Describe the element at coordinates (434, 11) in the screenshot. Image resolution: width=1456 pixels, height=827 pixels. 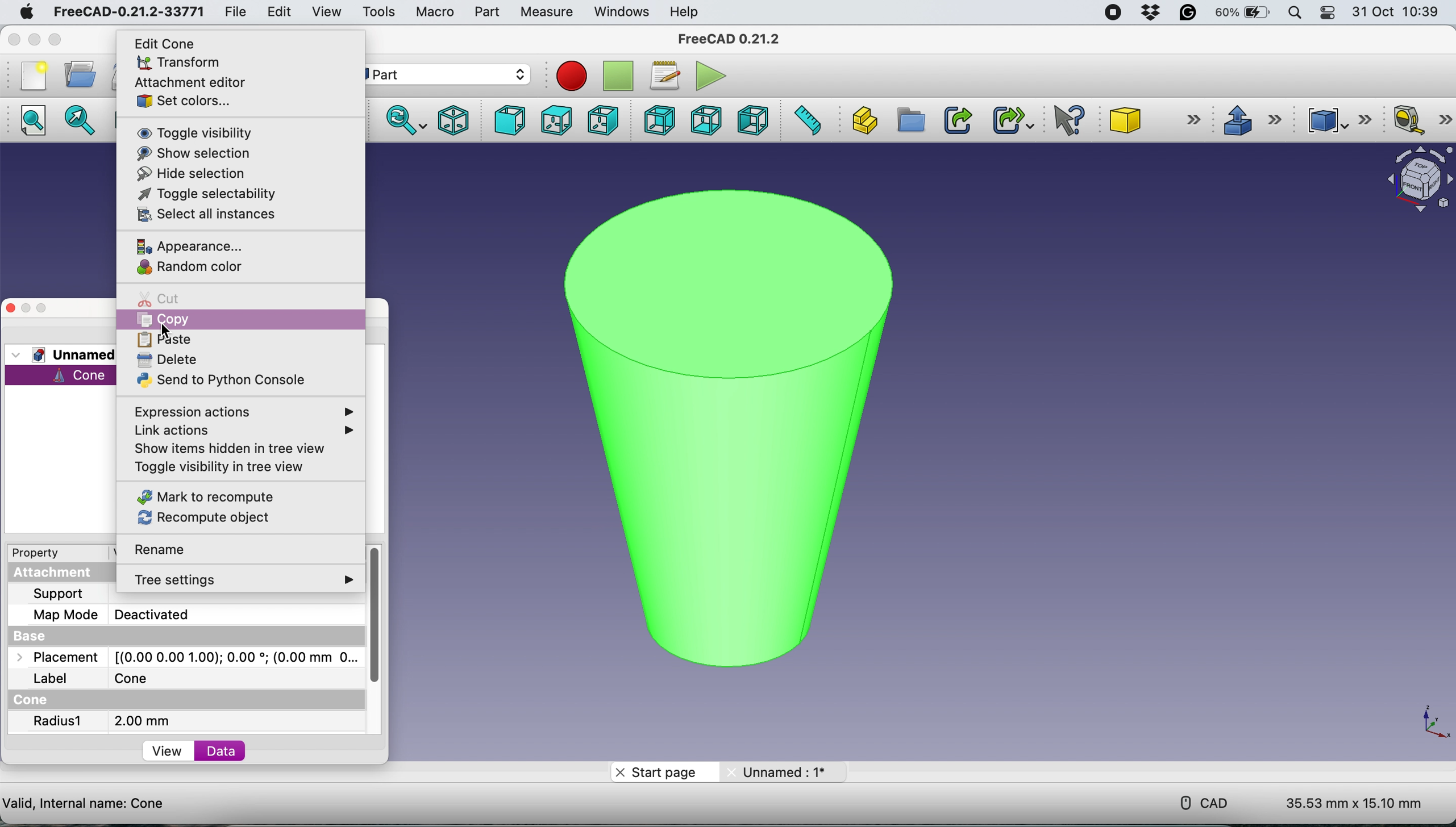
I see `macro` at that location.